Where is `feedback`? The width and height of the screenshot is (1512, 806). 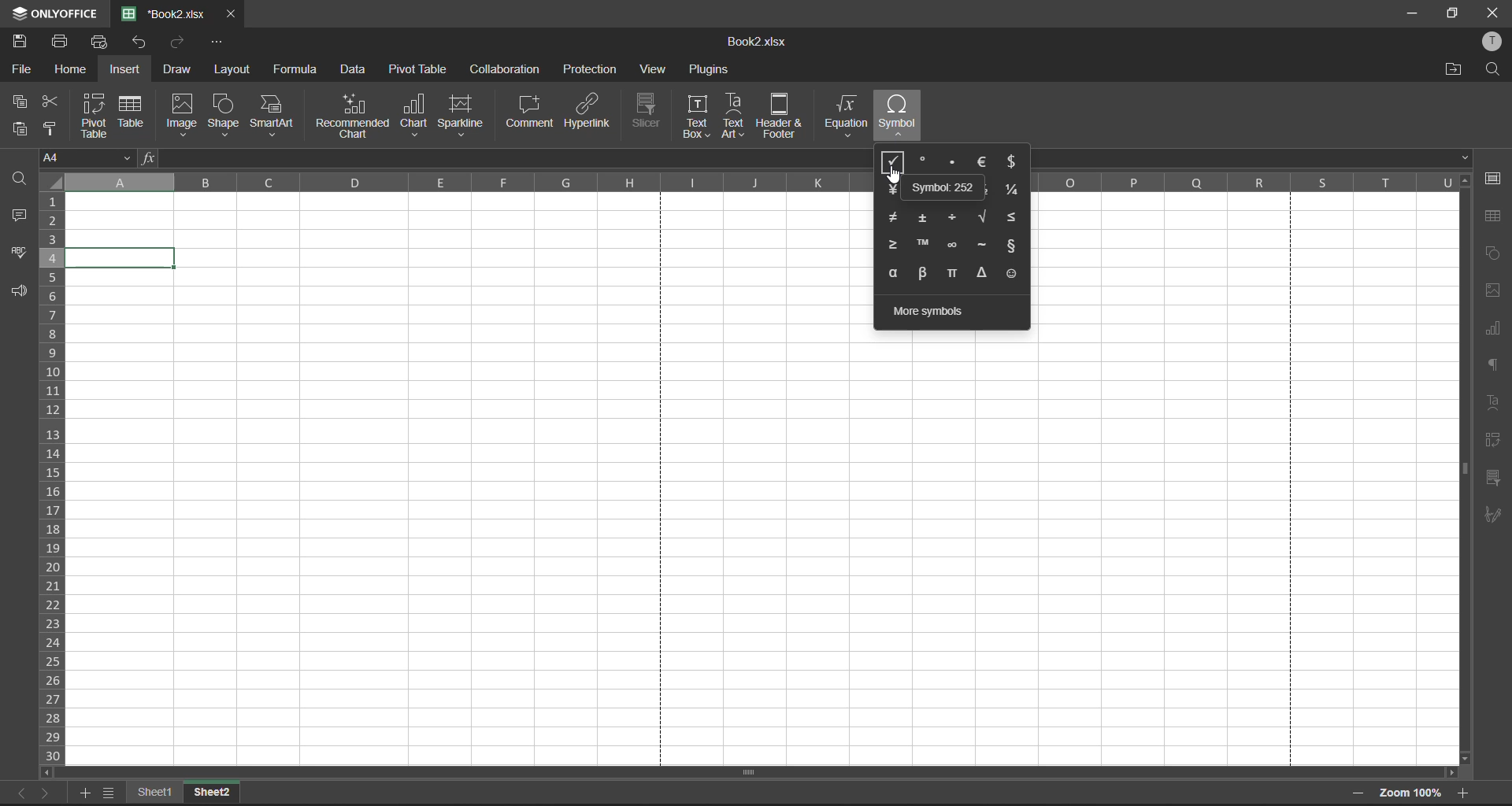 feedback is located at coordinates (20, 294).